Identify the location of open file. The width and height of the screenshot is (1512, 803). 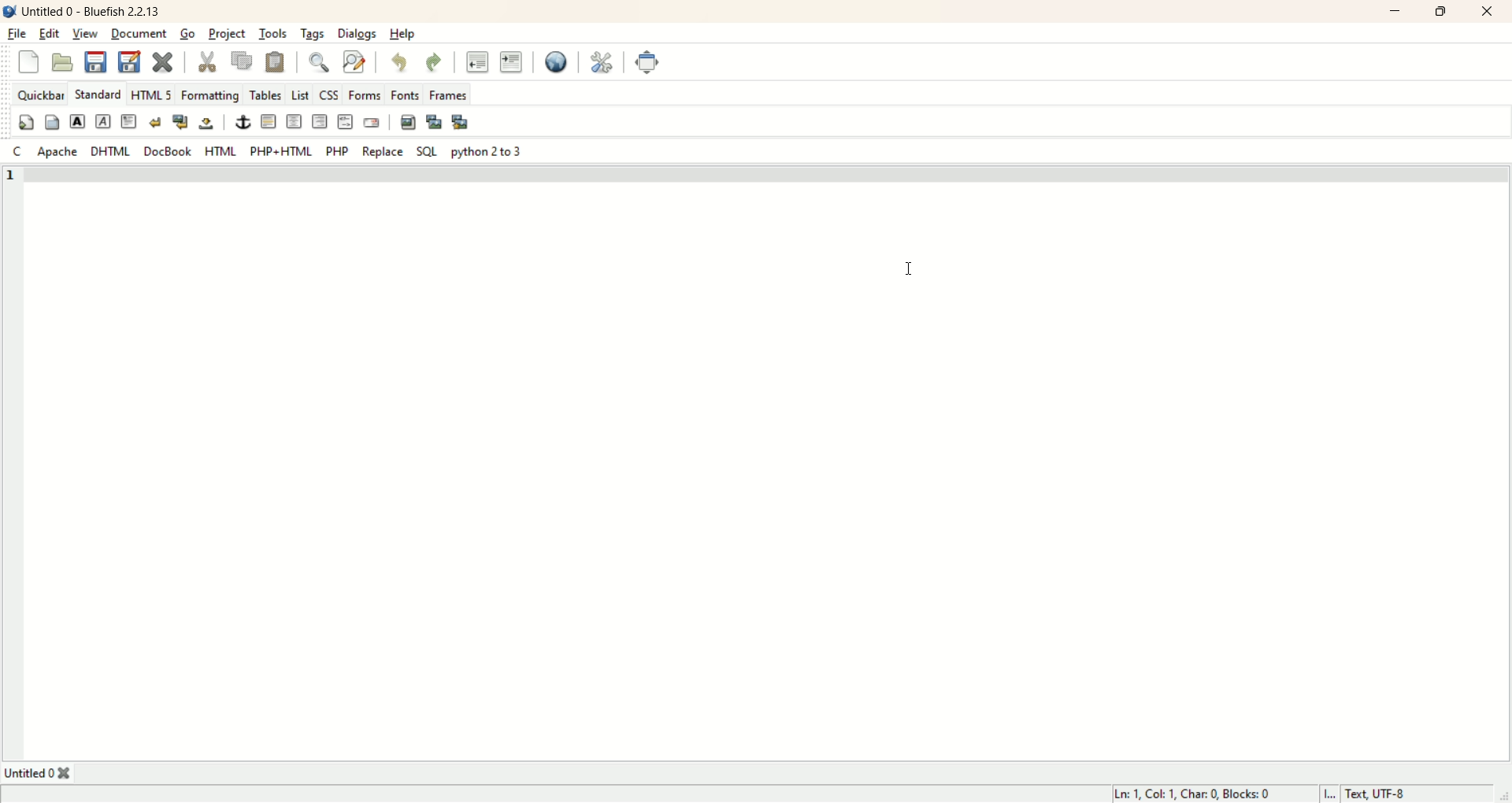
(59, 62).